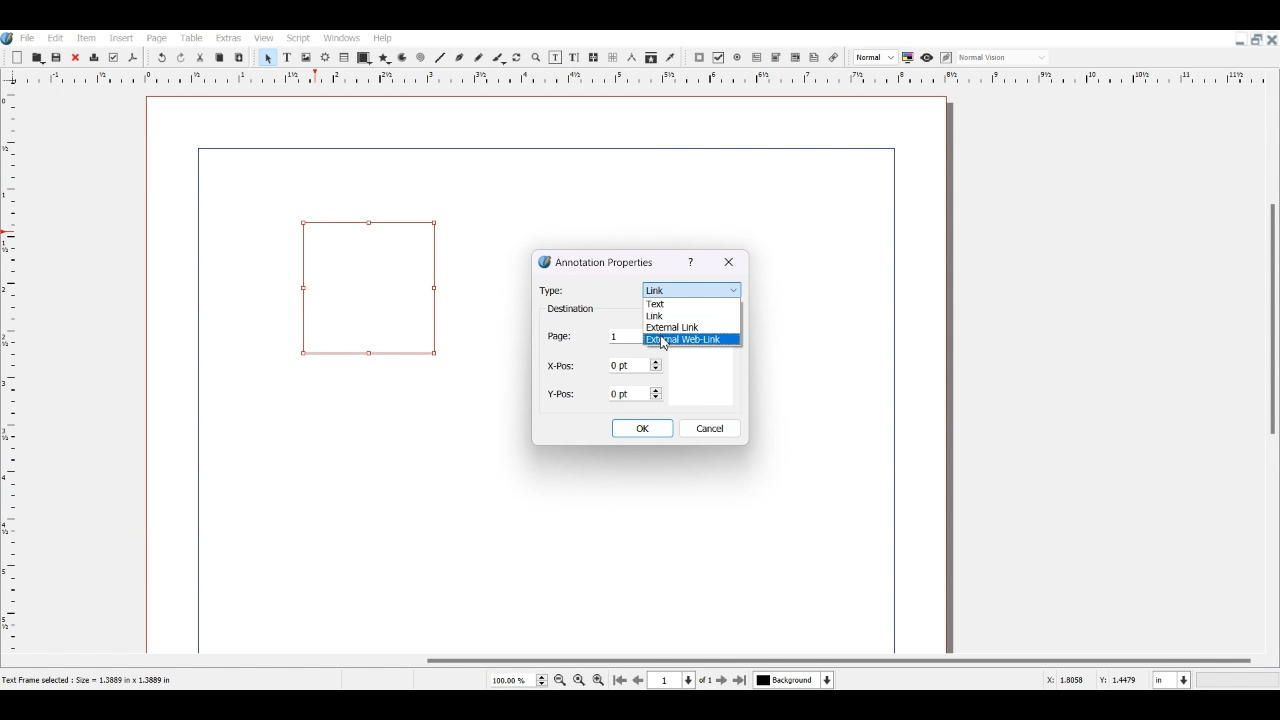 Image resolution: width=1280 pixels, height=720 pixels. Describe the element at coordinates (699, 58) in the screenshot. I see `PDF Push Button` at that location.